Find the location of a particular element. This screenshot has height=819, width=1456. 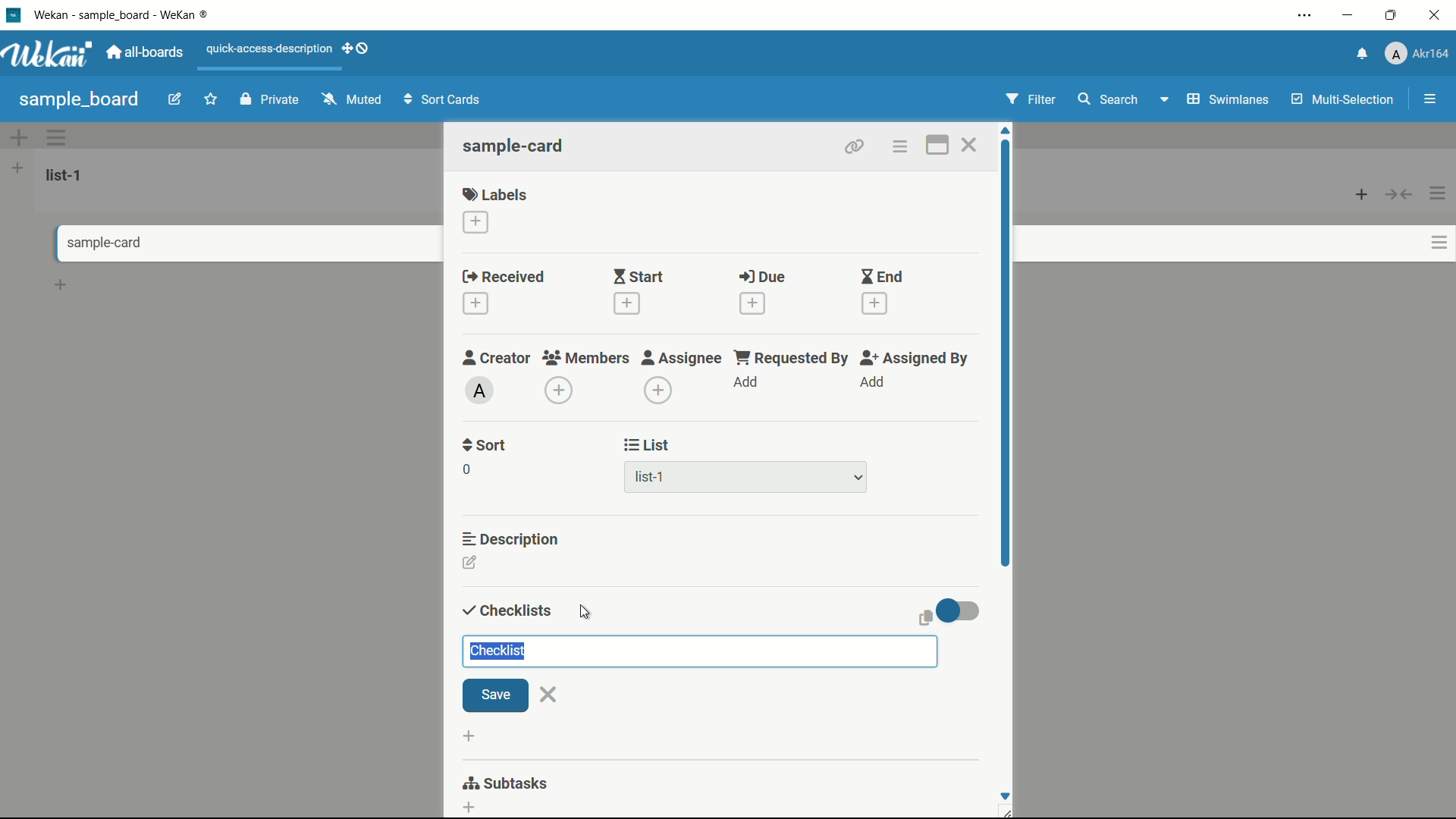

multi selection is located at coordinates (1345, 101).